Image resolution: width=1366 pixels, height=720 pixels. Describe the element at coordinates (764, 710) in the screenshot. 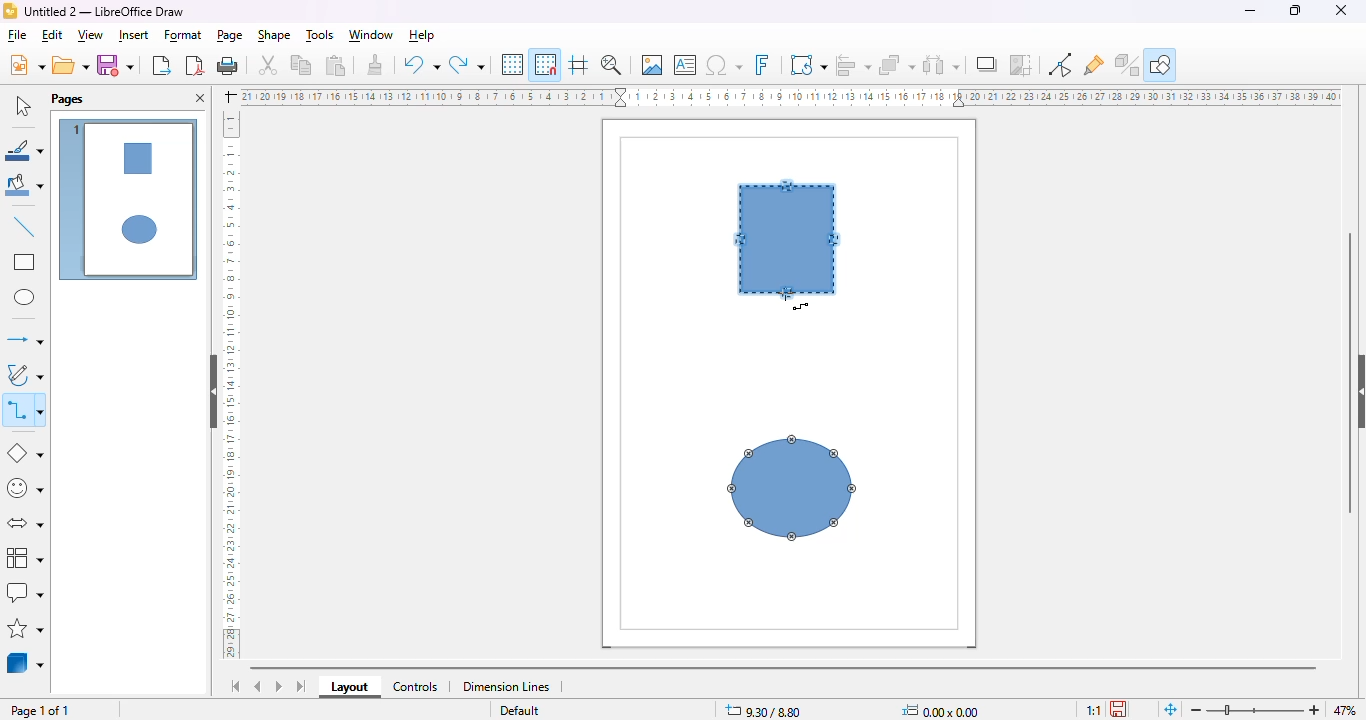

I see `9.30/8.80` at that location.